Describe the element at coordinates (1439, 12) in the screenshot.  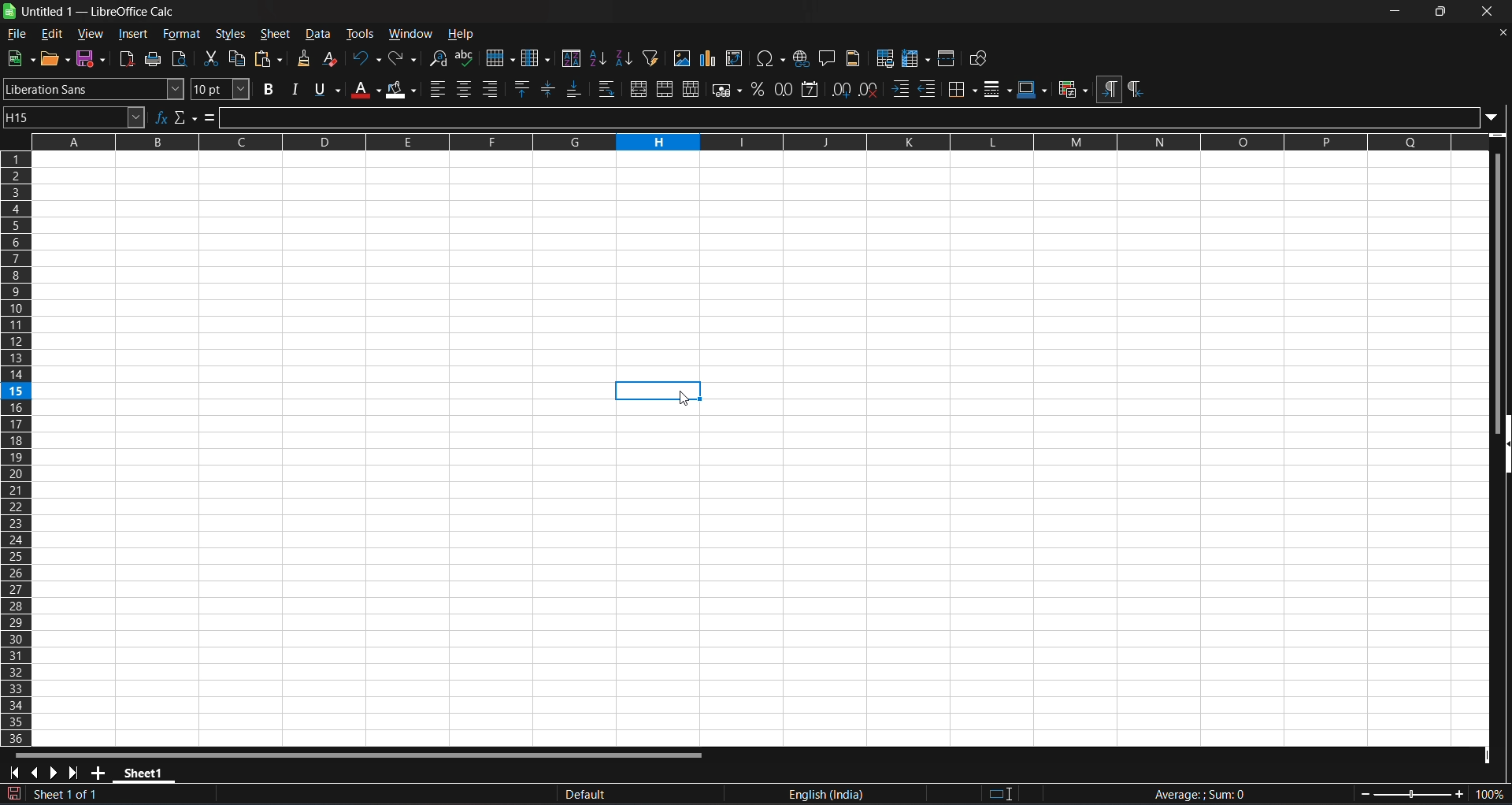
I see `maximize` at that location.